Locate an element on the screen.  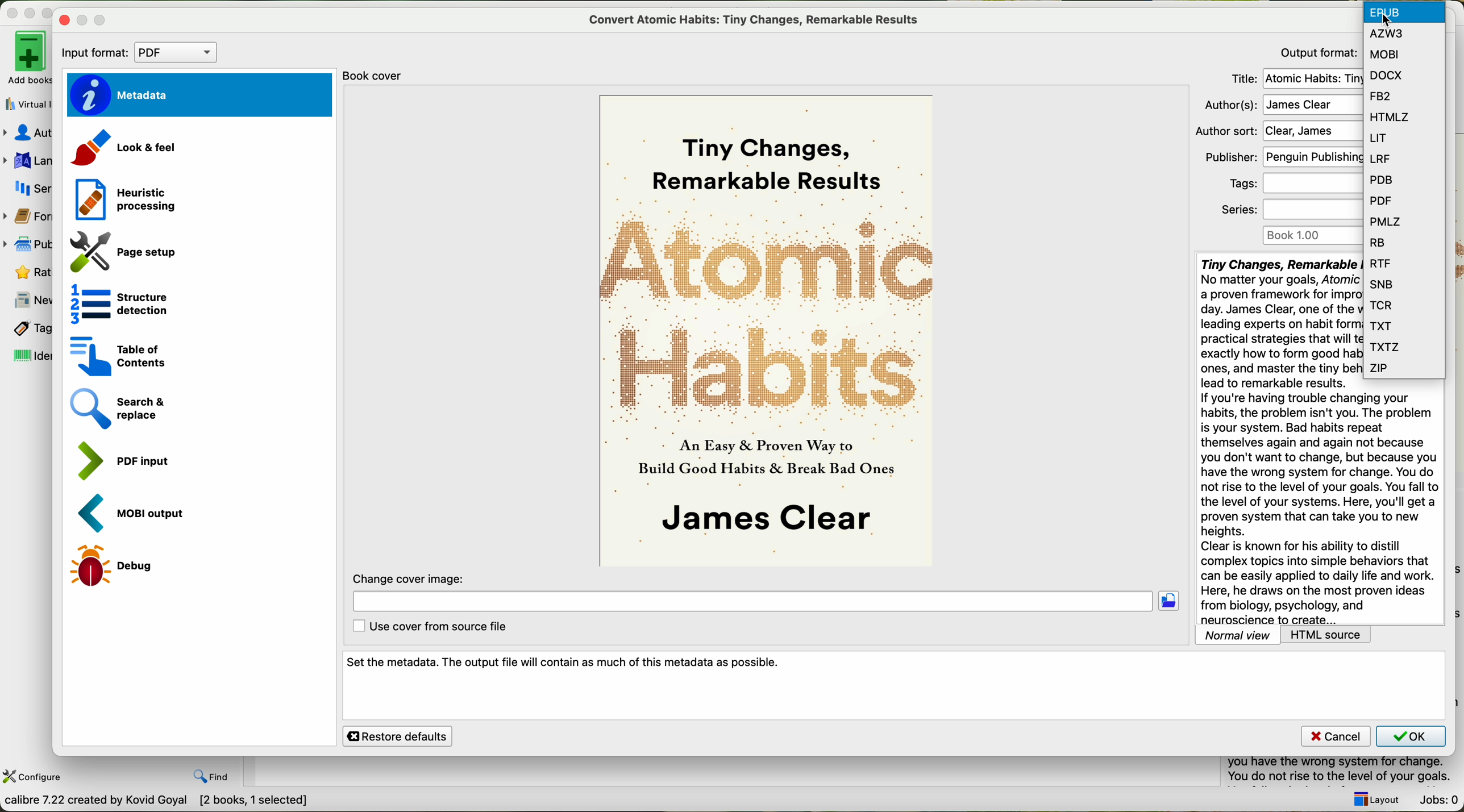
virtual library is located at coordinates (26, 105).